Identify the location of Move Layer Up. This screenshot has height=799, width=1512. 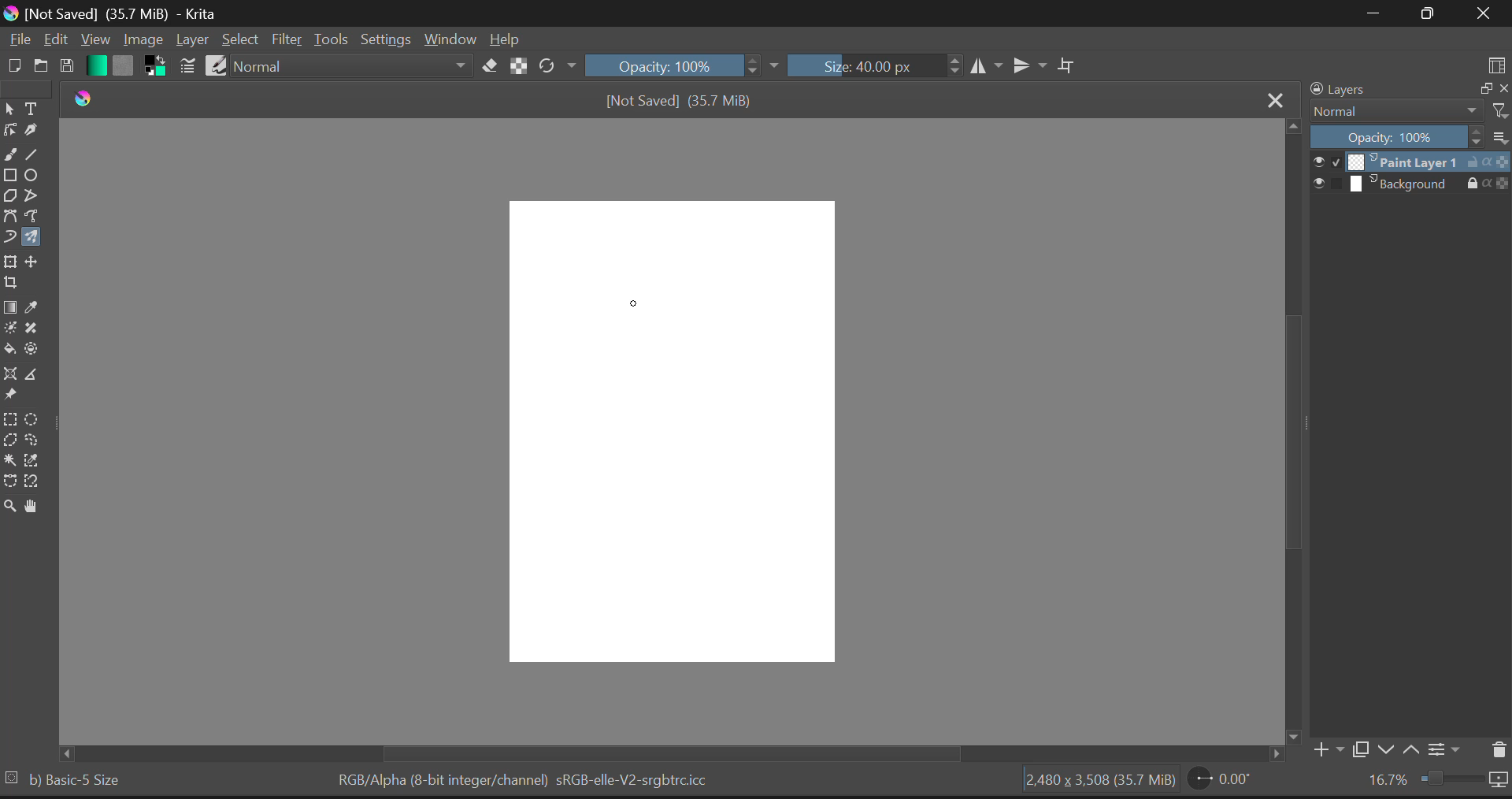
(1416, 750).